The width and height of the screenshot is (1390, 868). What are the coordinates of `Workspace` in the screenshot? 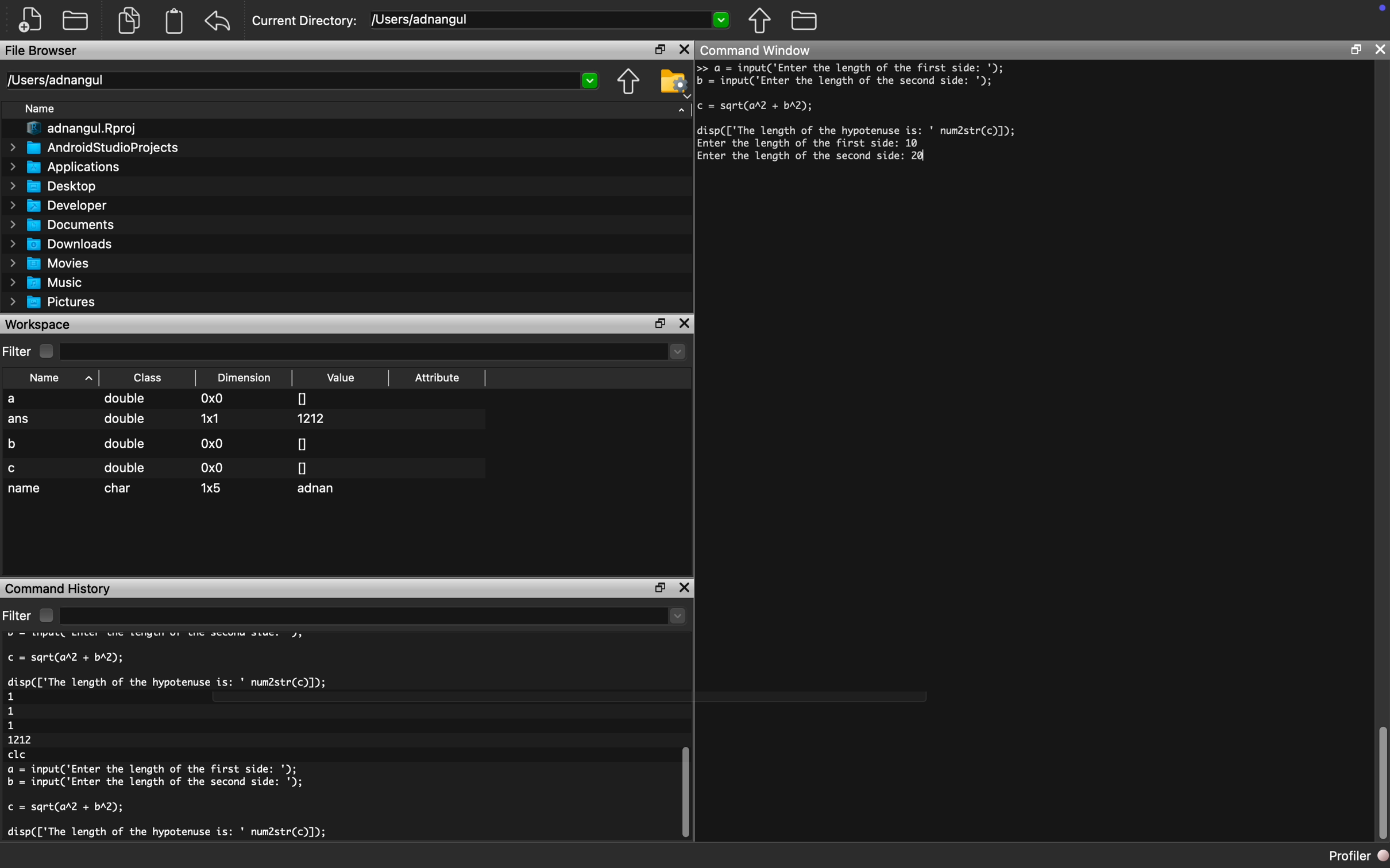 It's located at (40, 324).